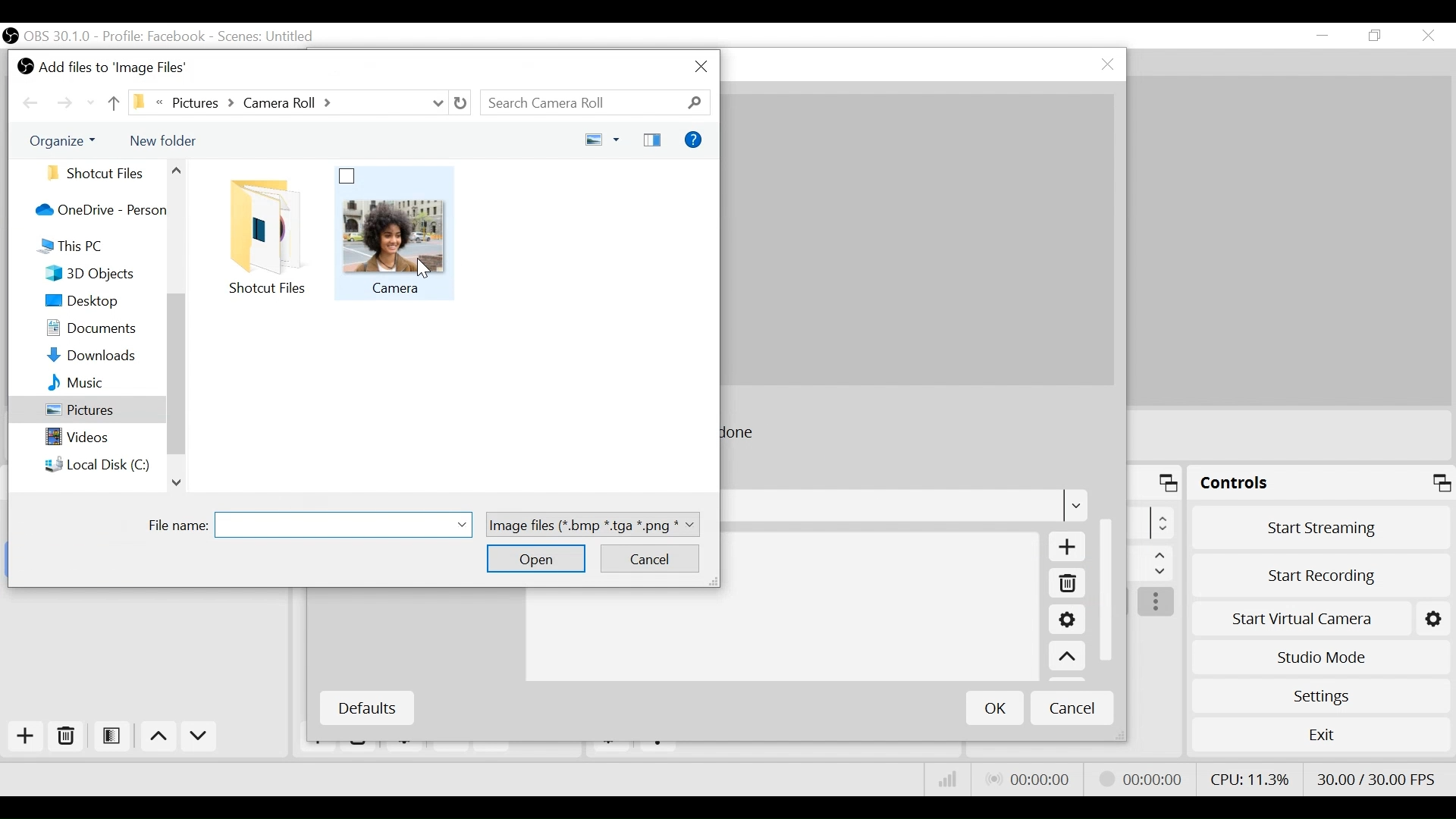 This screenshot has width=1456, height=819. I want to click on Help, so click(695, 139).